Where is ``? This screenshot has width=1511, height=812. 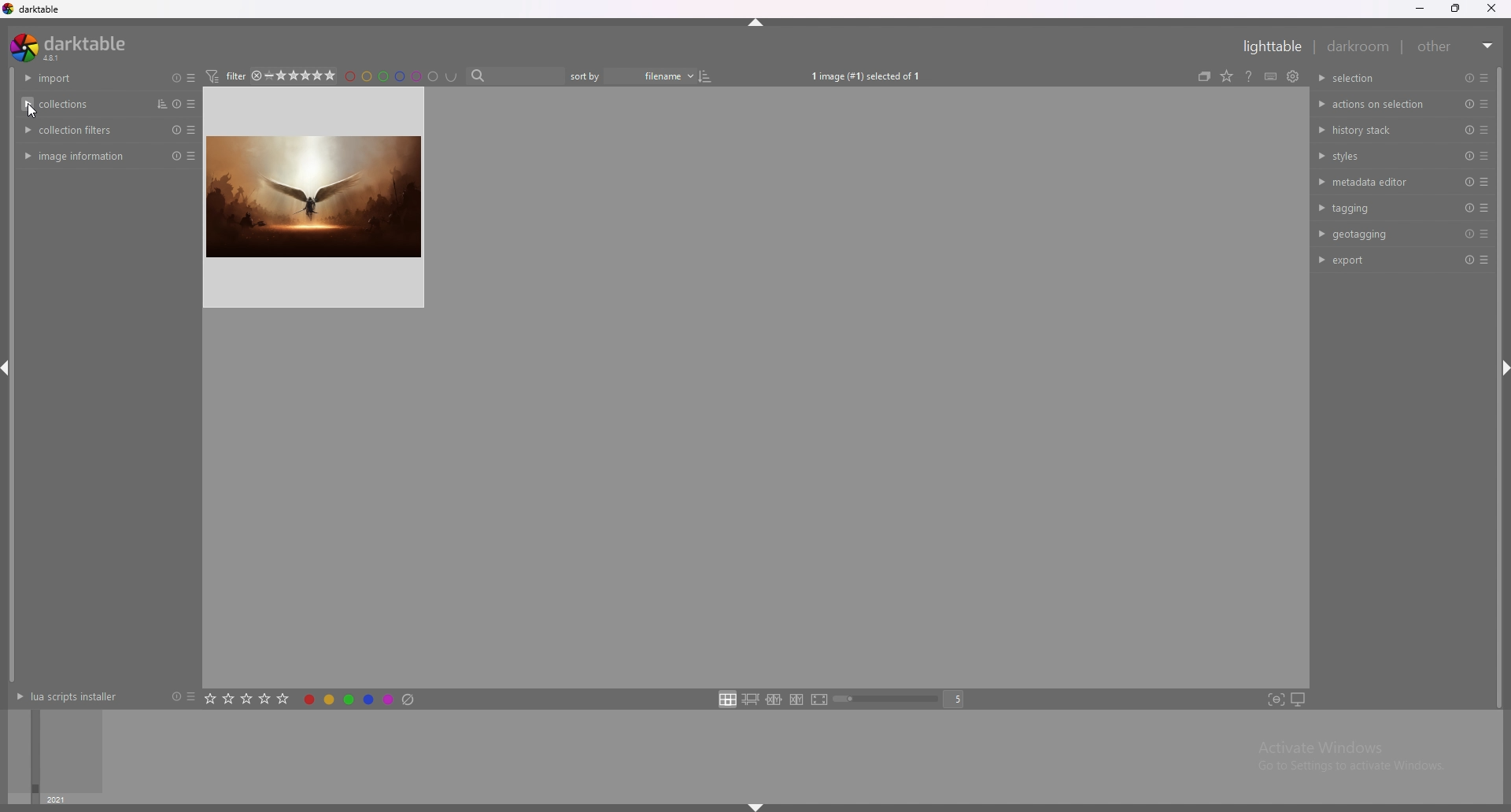
 is located at coordinates (1486, 209).